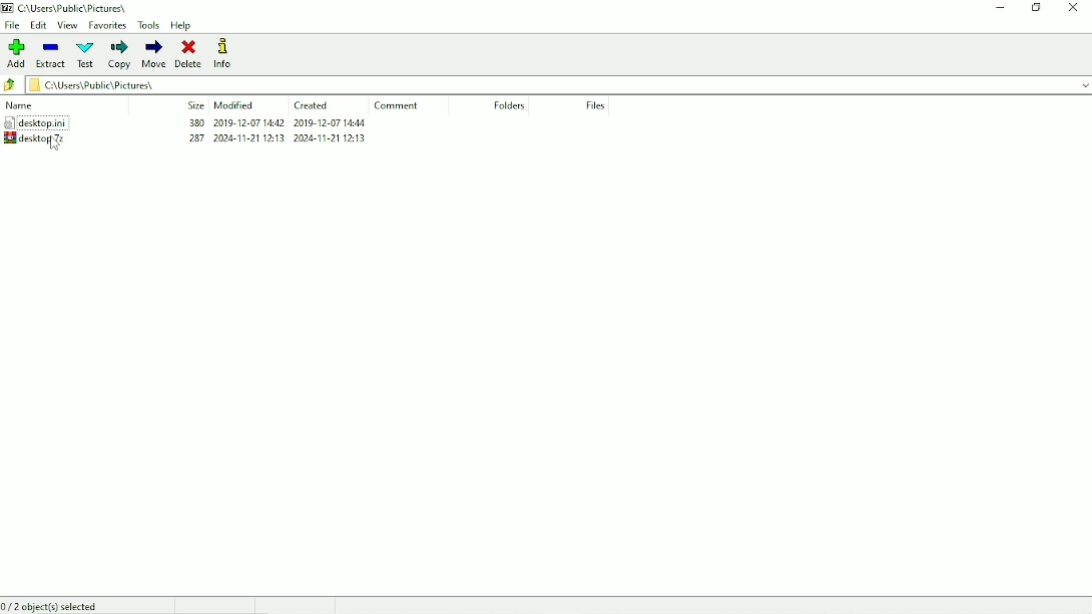 The image size is (1092, 614). Describe the element at coordinates (118, 54) in the screenshot. I see `Copy` at that location.